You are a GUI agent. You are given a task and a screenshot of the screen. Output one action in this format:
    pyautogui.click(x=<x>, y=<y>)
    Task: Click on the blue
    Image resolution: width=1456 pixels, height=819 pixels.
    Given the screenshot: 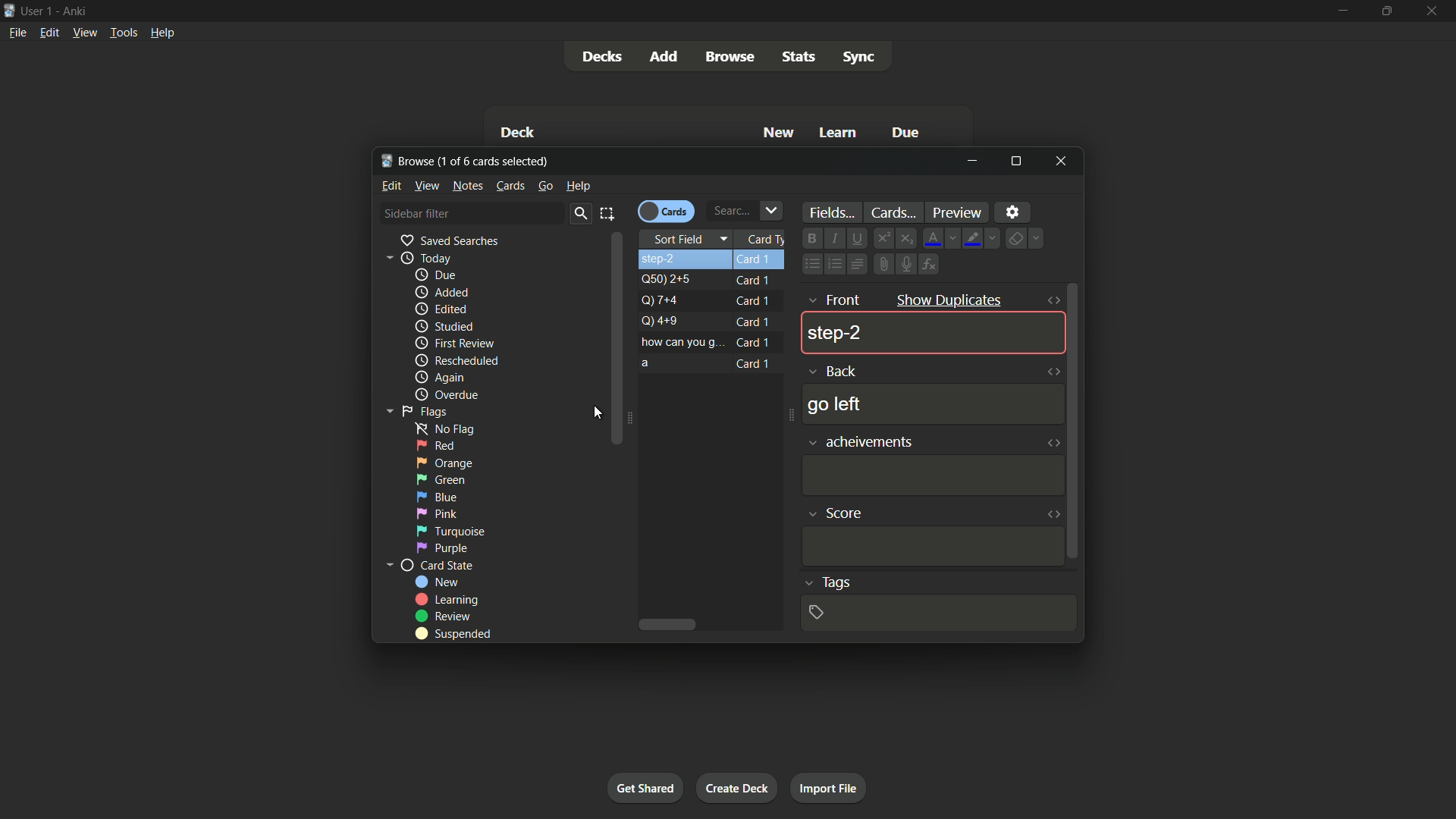 What is the action you would take?
    pyautogui.click(x=436, y=497)
    